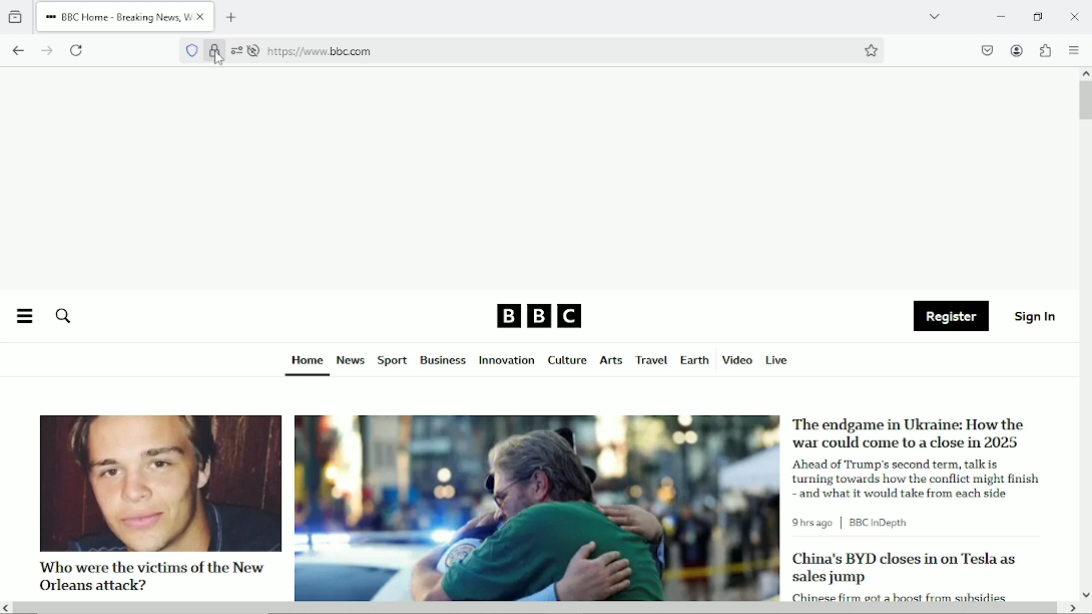  What do you see at coordinates (14, 15) in the screenshot?
I see `View recent browsing` at bounding box center [14, 15].